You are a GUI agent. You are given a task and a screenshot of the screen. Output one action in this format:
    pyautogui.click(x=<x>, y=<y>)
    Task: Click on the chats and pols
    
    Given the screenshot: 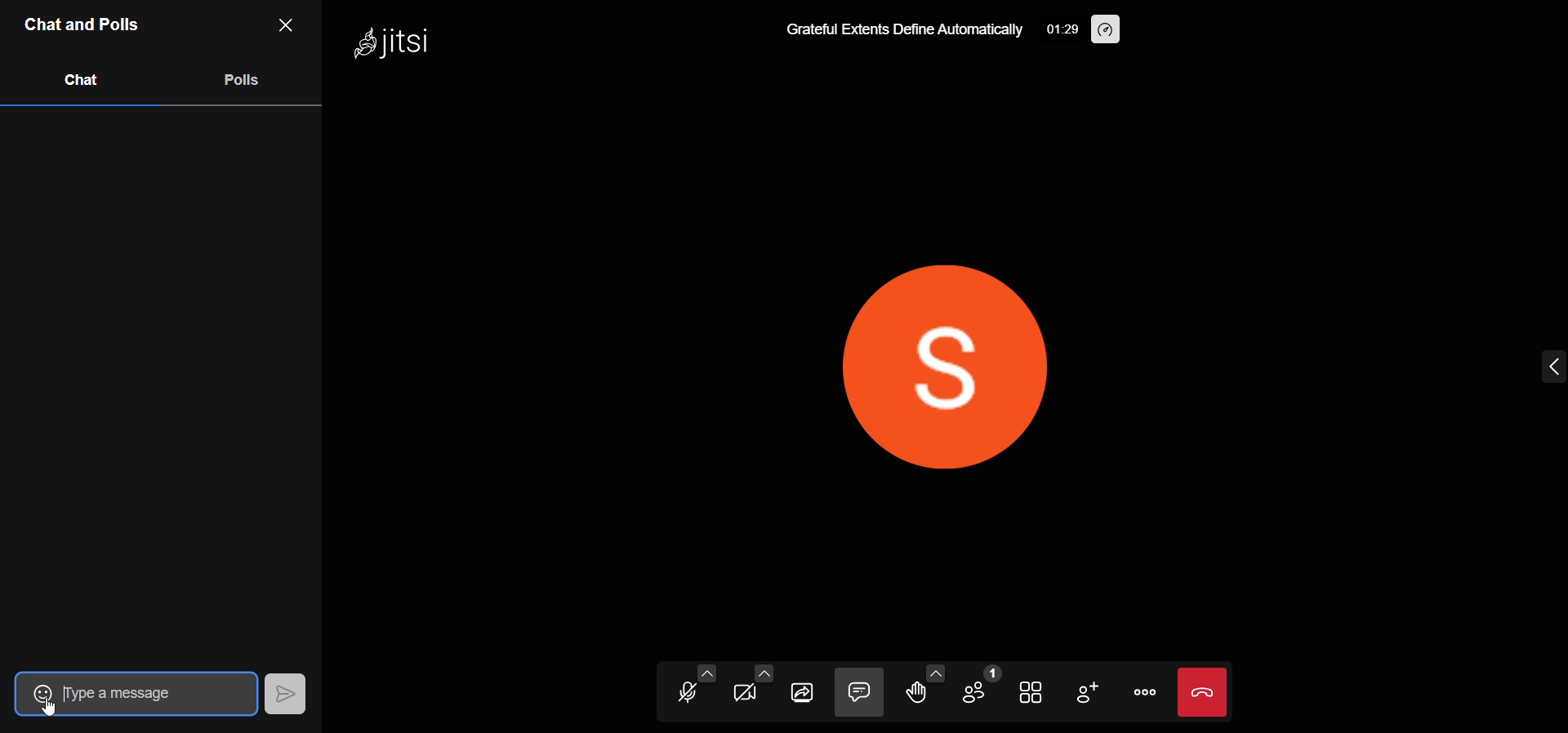 What is the action you would take?
    pyautogui.click(x=84, y=25)
    